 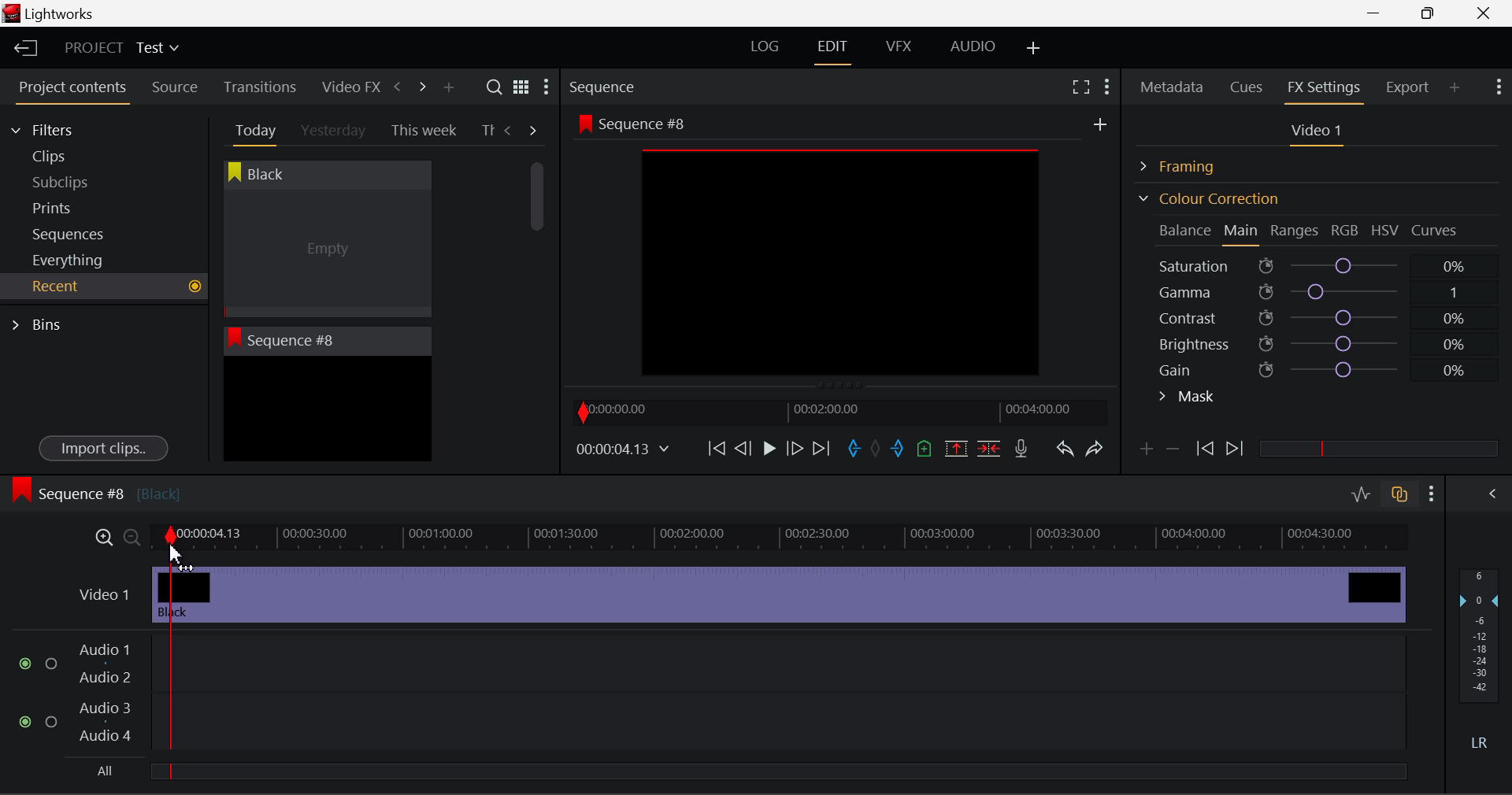 What do you see at coordinates (487, 129) in the screenshot?
I see `Th` at bounding box center [487, 129].